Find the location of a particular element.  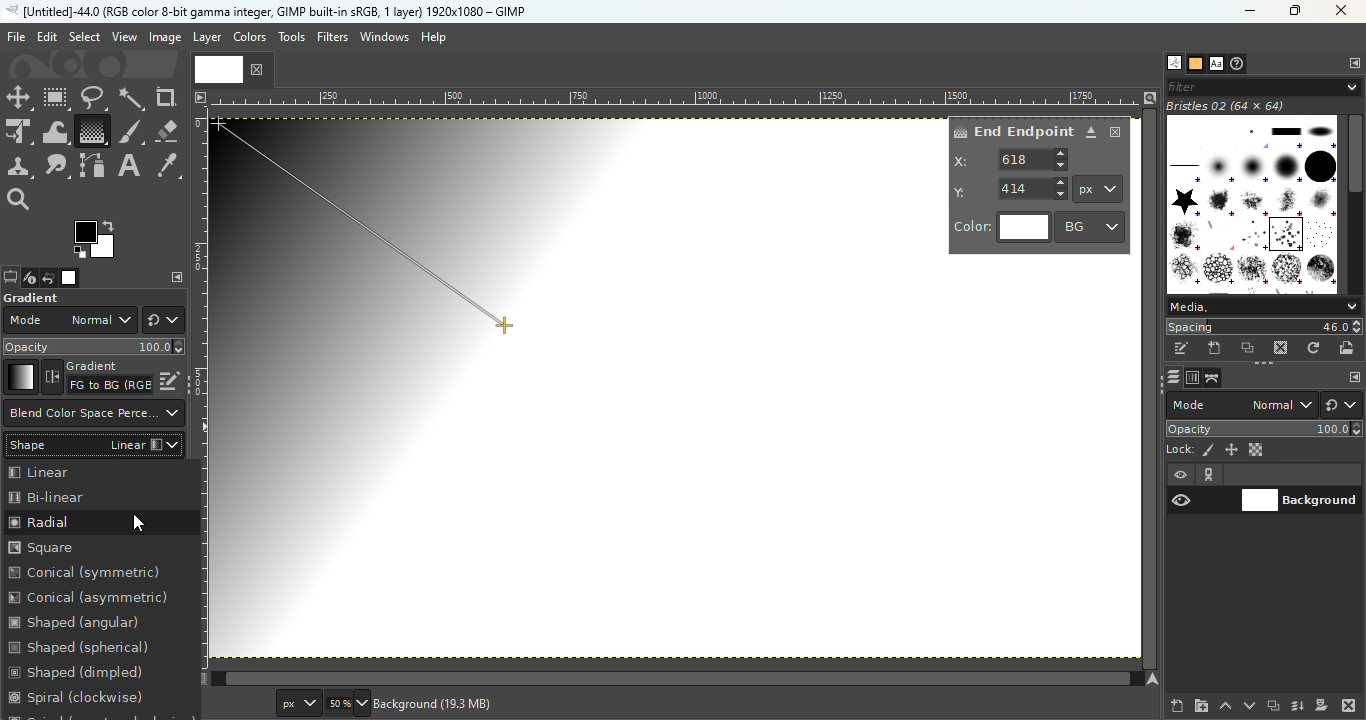

Opacity is located at coordinates (1266, 429).